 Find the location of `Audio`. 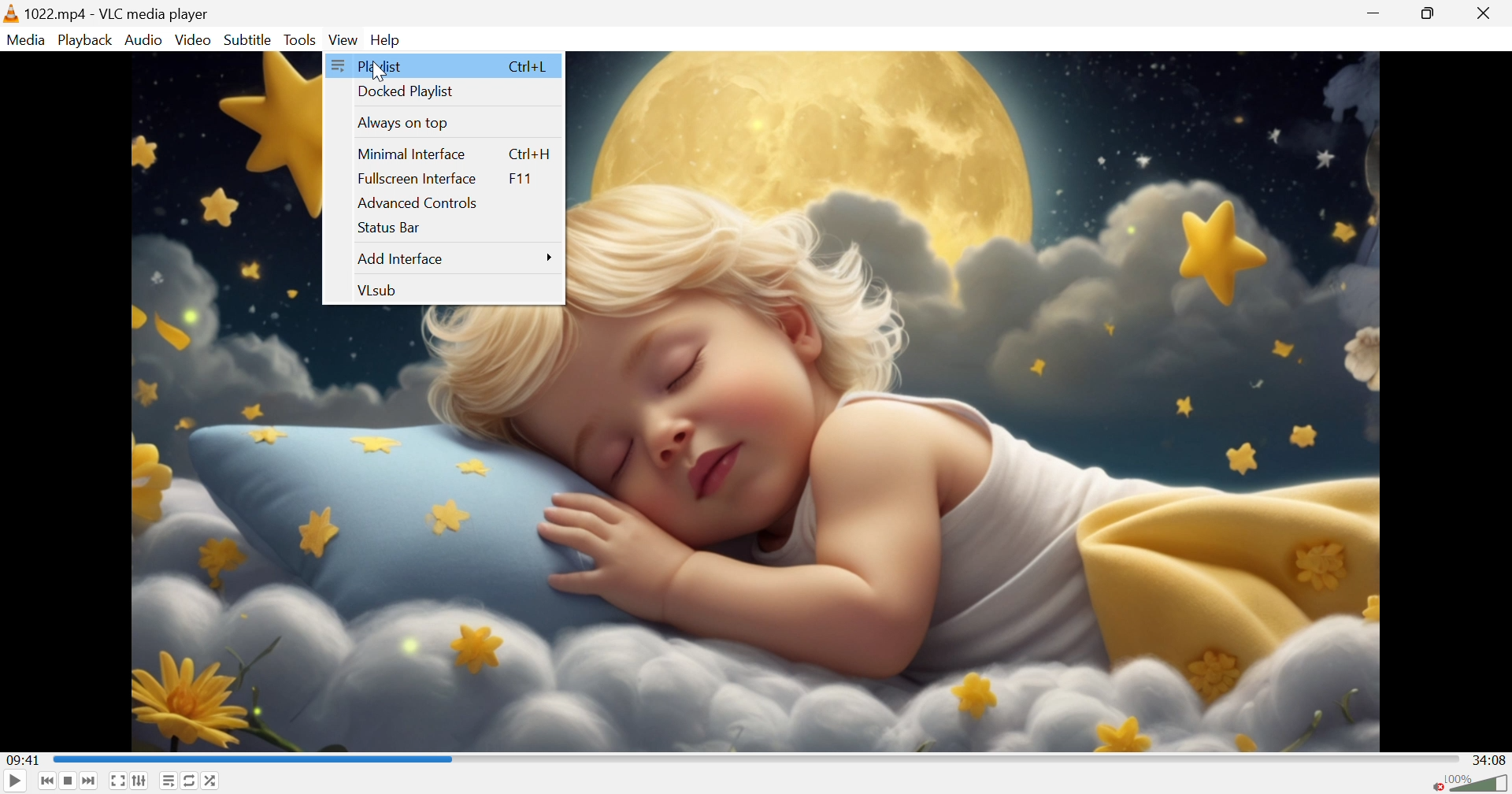

Audio is located at coordinates (144, 40).